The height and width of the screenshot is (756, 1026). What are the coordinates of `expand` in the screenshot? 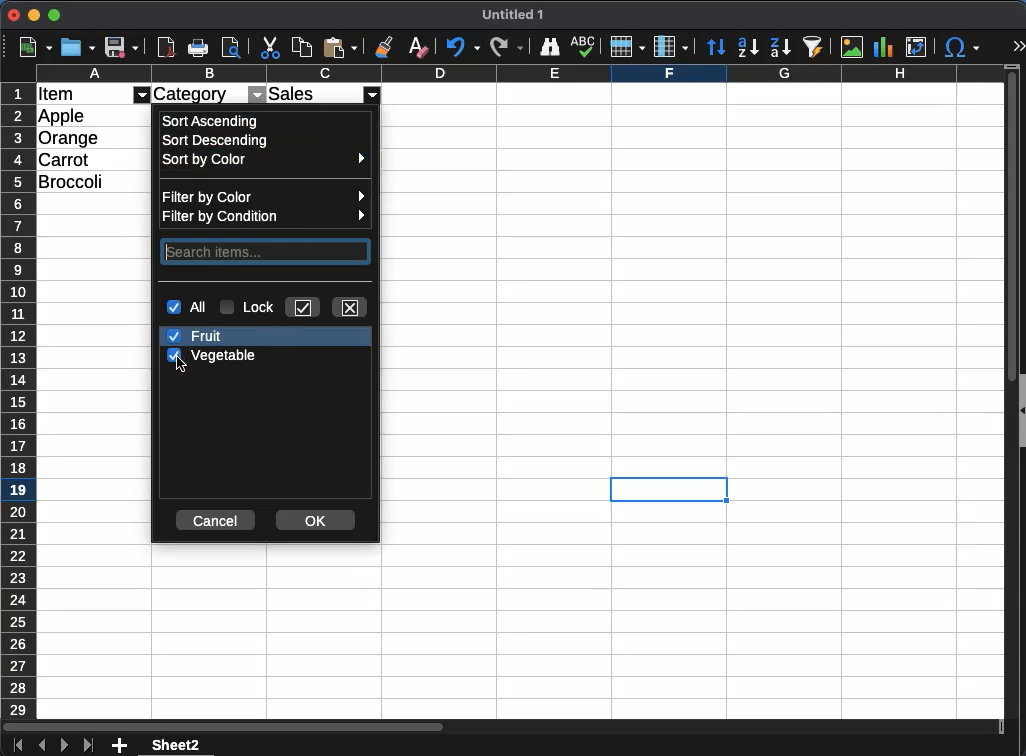 It's located at (1016, 45).